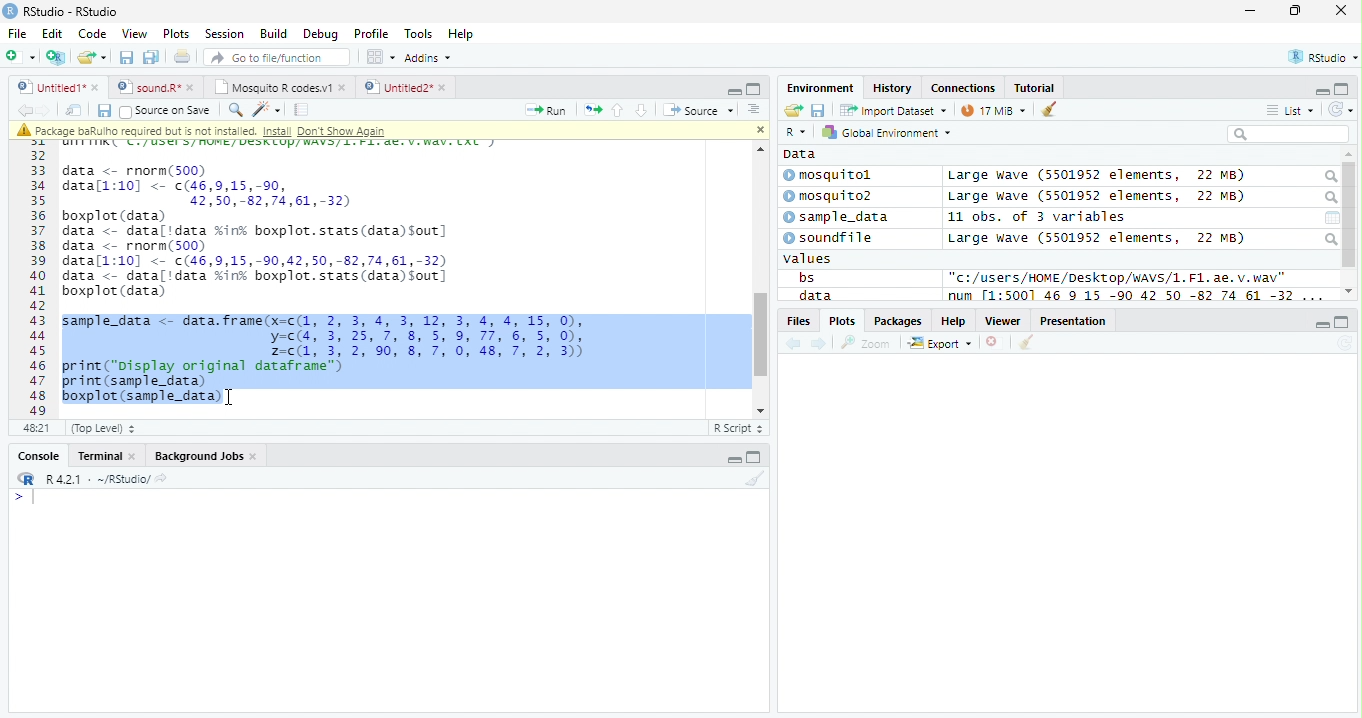 The image size is (1362, 718). I want to click on Tools, so click(418, 35).